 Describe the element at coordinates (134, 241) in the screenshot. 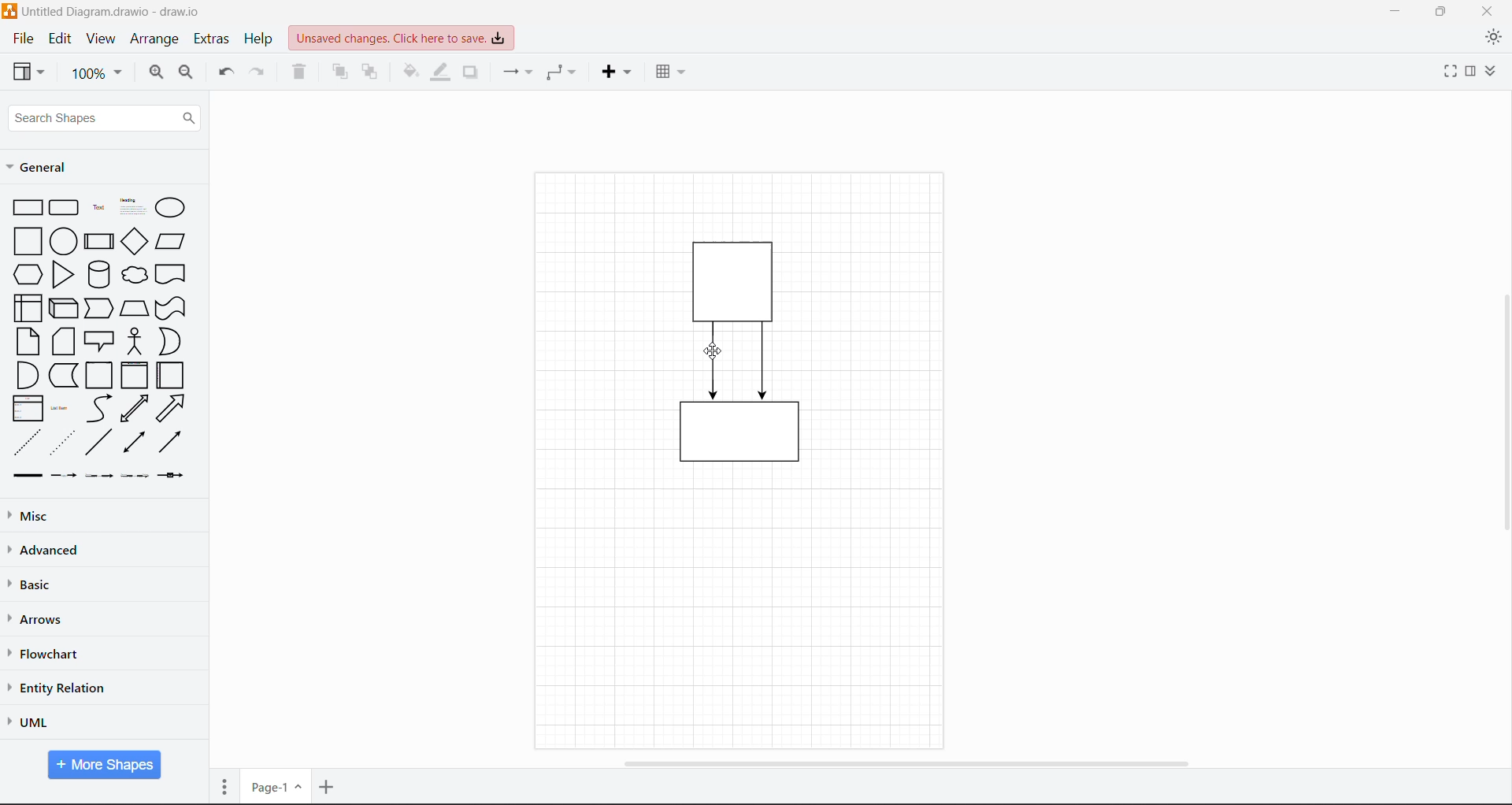

I see `Diamond` at that location.